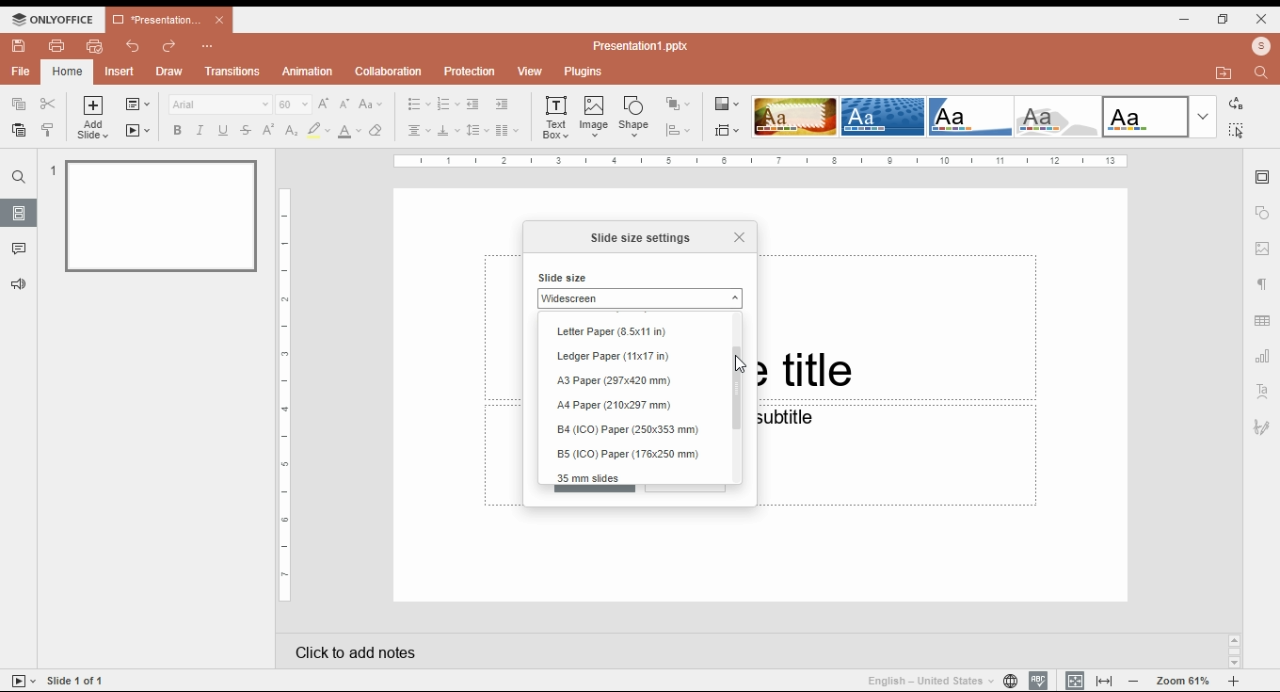 Image resolution: width=1280 pixels, height=692 pixels. I want to click on find, so click(1264, 71).